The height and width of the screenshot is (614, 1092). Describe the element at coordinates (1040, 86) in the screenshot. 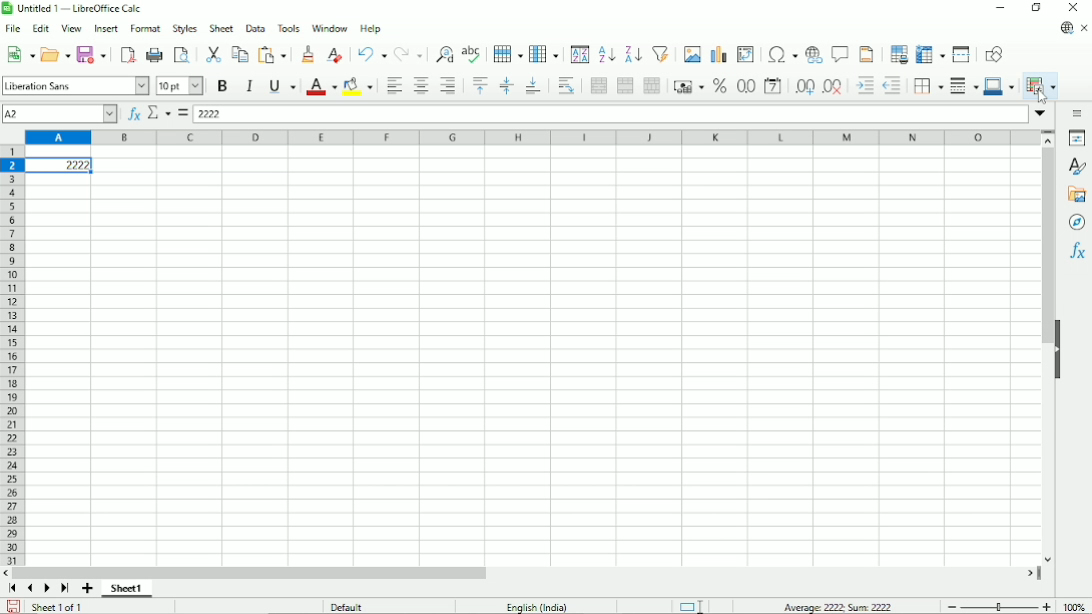

I see `Conditional` at that location.